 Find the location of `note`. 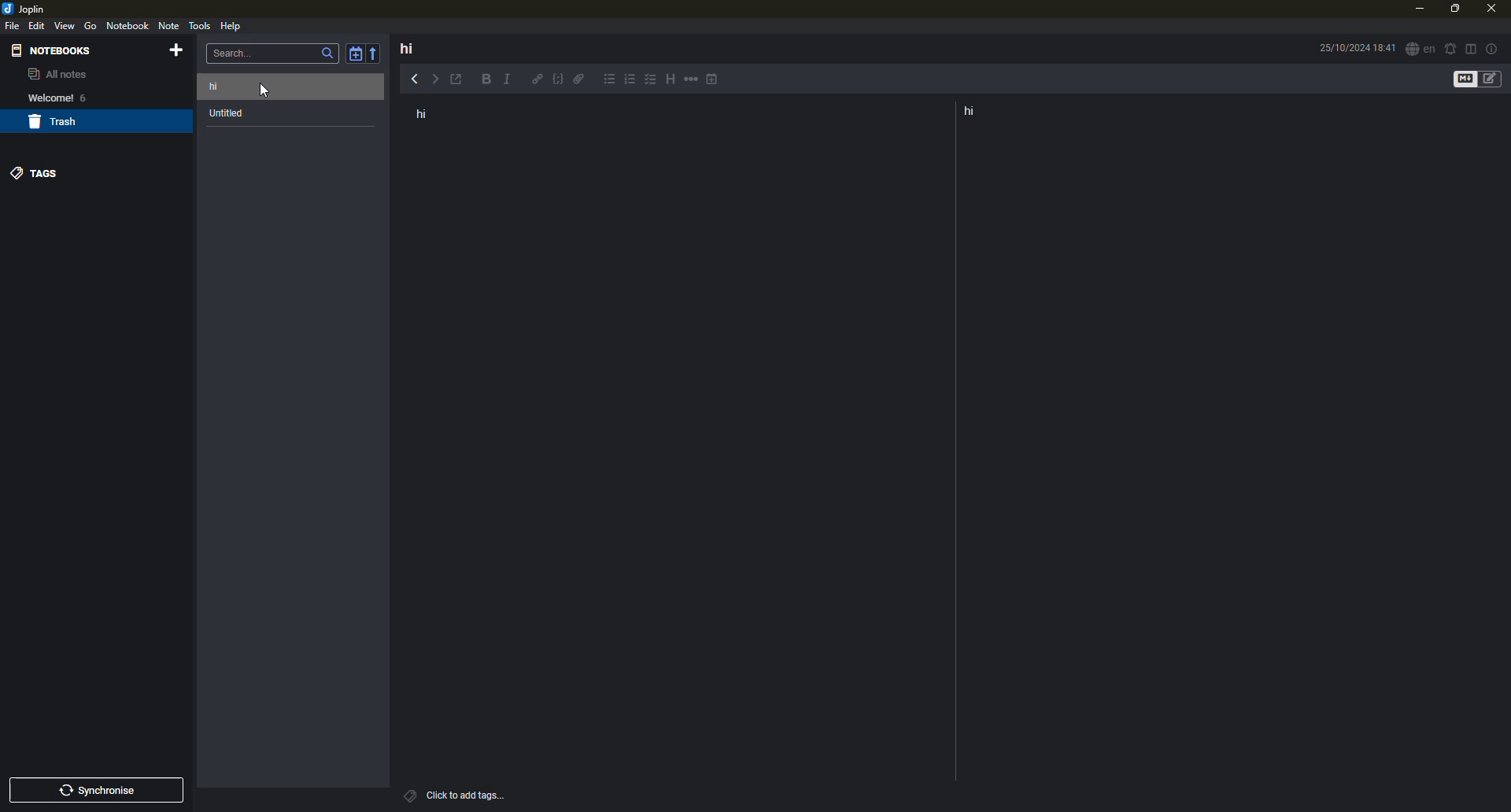

note is located at coordinates (171, 27).